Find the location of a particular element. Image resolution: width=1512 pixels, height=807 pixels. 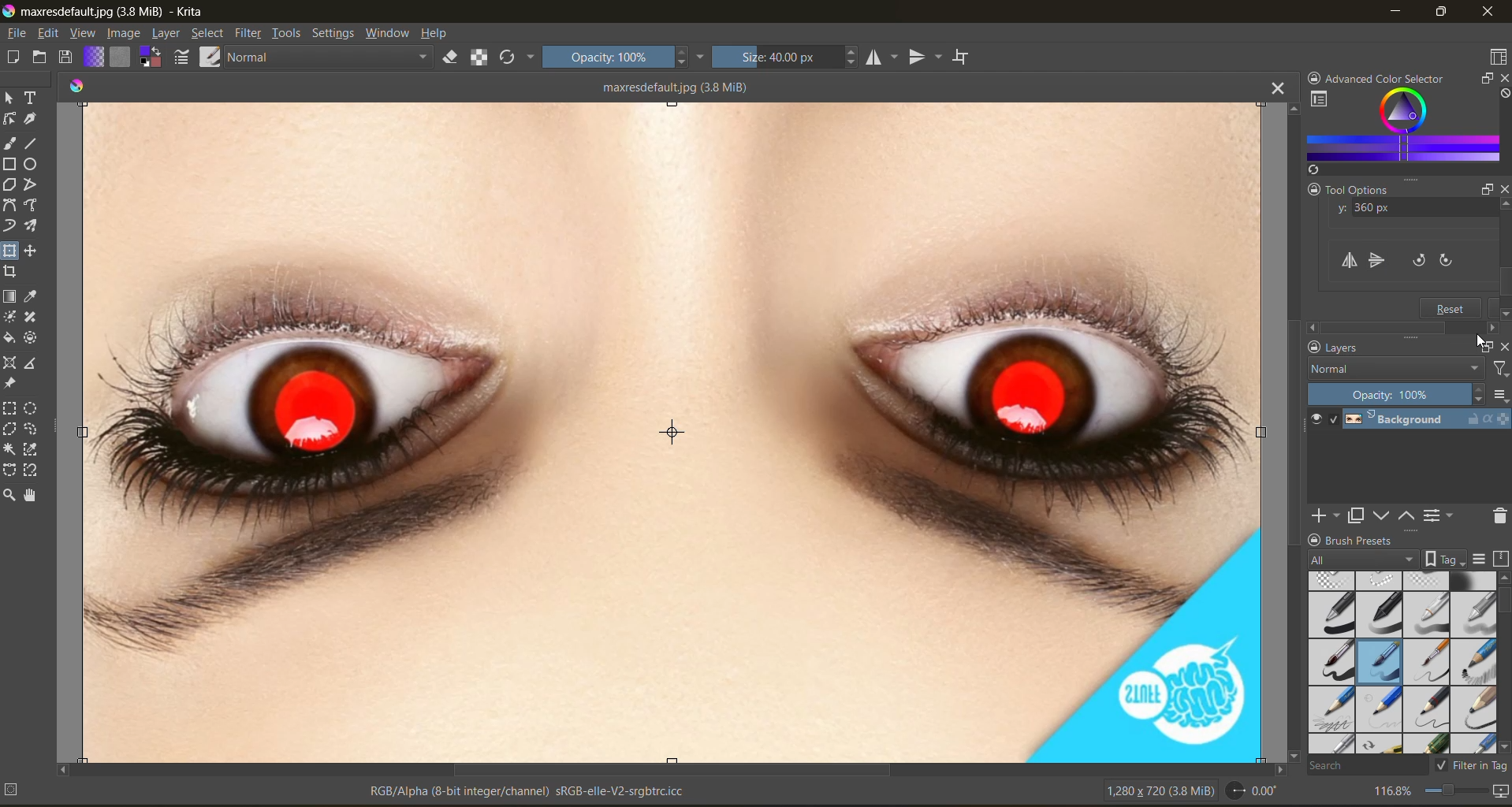

tool is located at coordinates (32, 318).